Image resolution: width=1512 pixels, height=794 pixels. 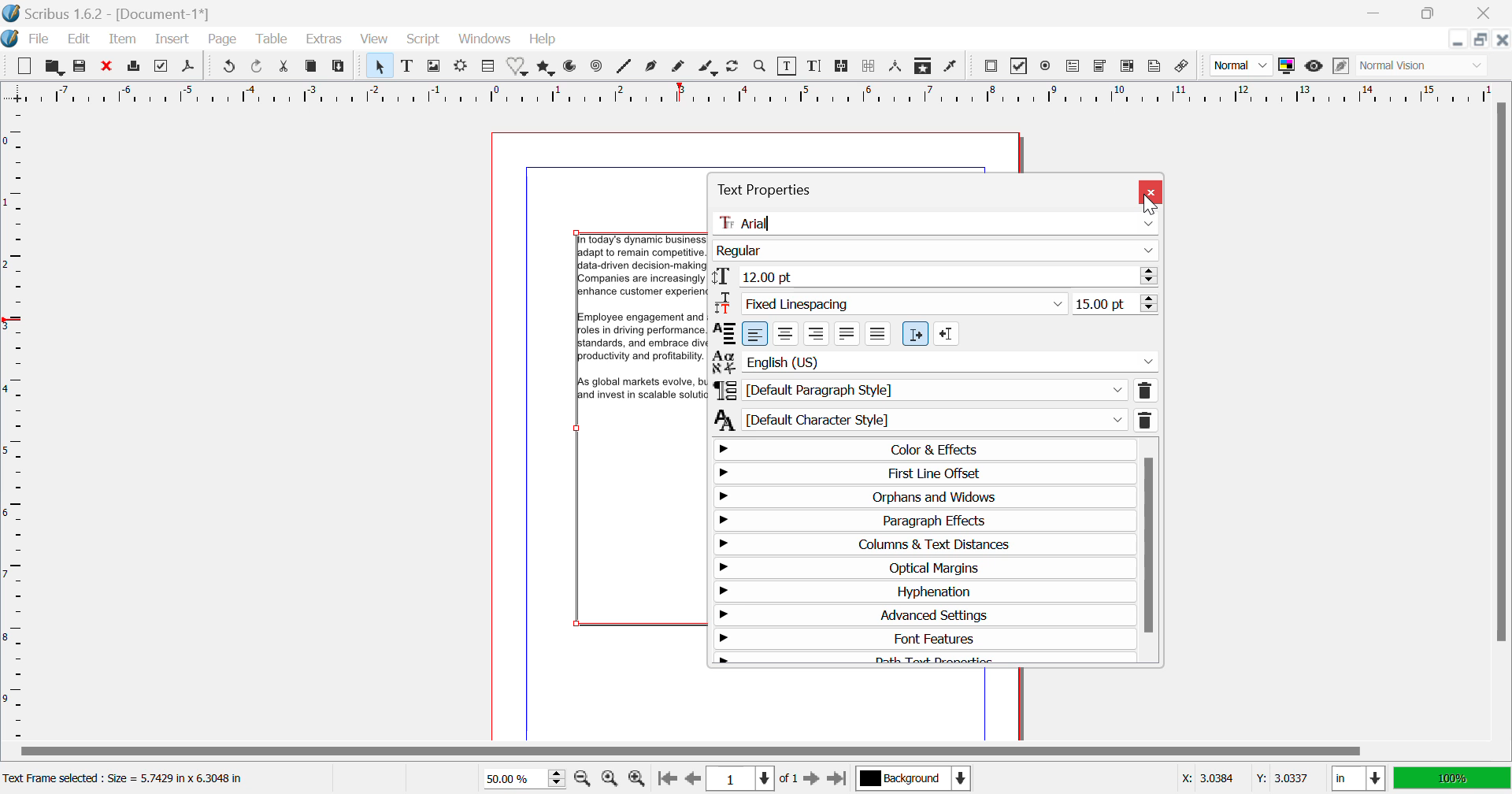 I want to click on Toggle Color Management, so click(x=1288, y=65).